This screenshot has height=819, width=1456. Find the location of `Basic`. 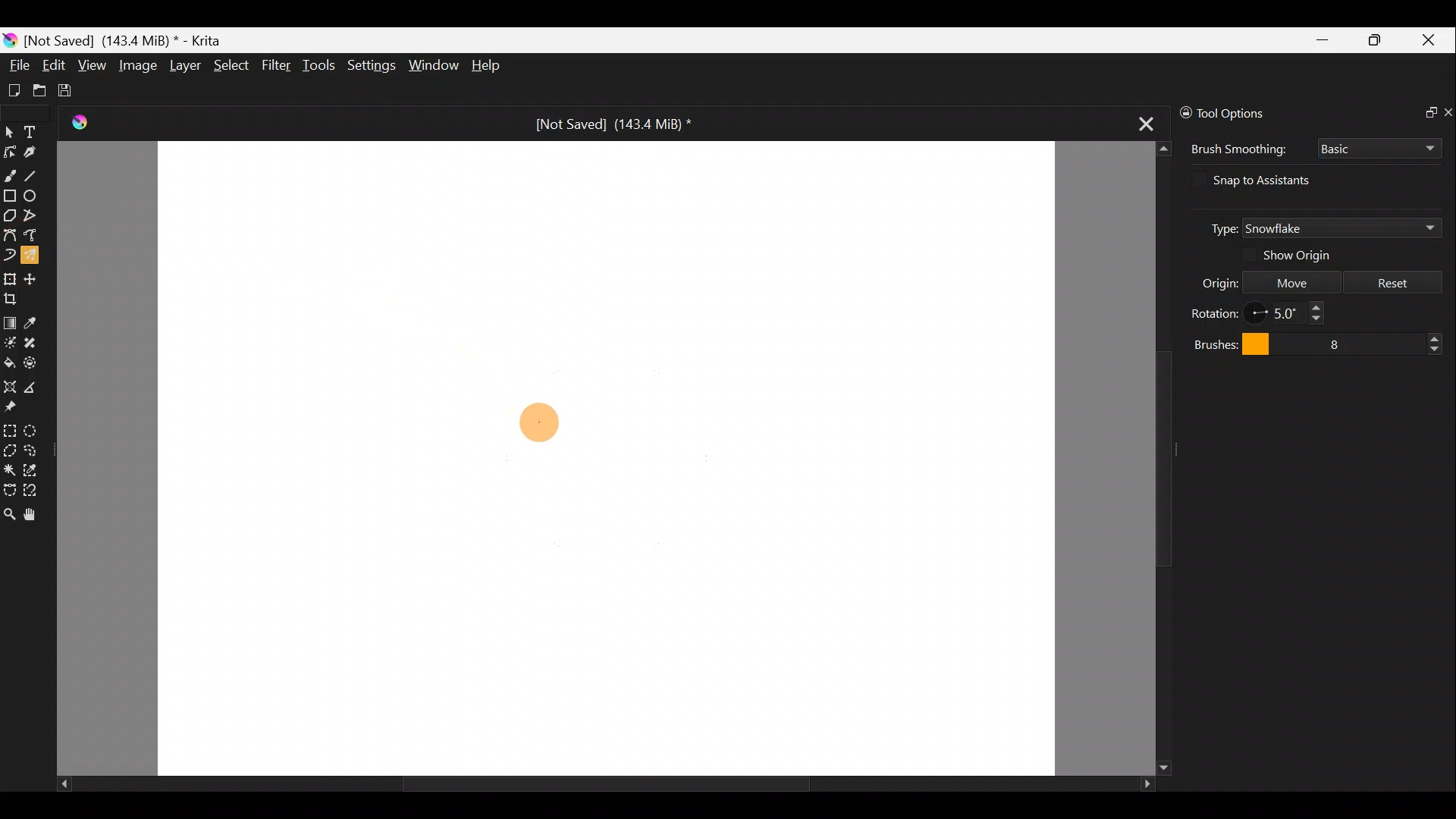

Basic is located at coordinates (1379, 149).